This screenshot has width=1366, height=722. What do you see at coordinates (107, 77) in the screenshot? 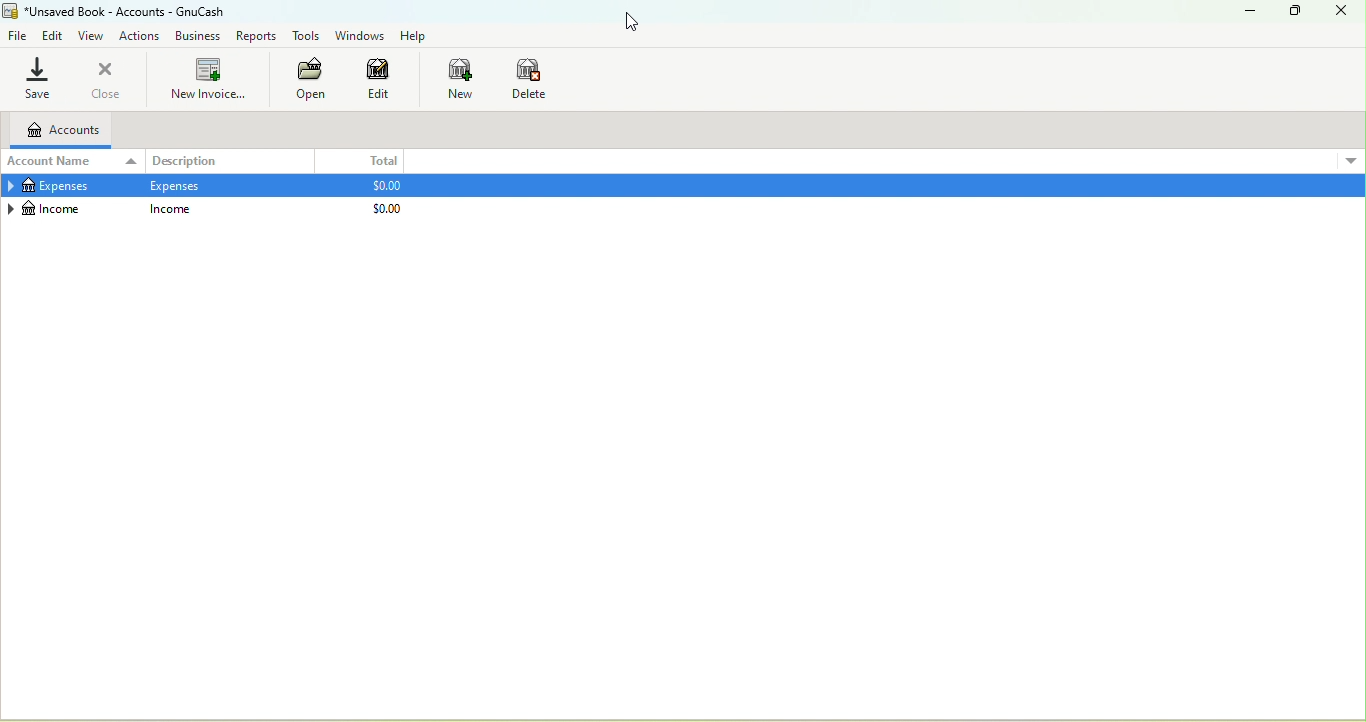
I see `Close` at bounding box center [107, 77].